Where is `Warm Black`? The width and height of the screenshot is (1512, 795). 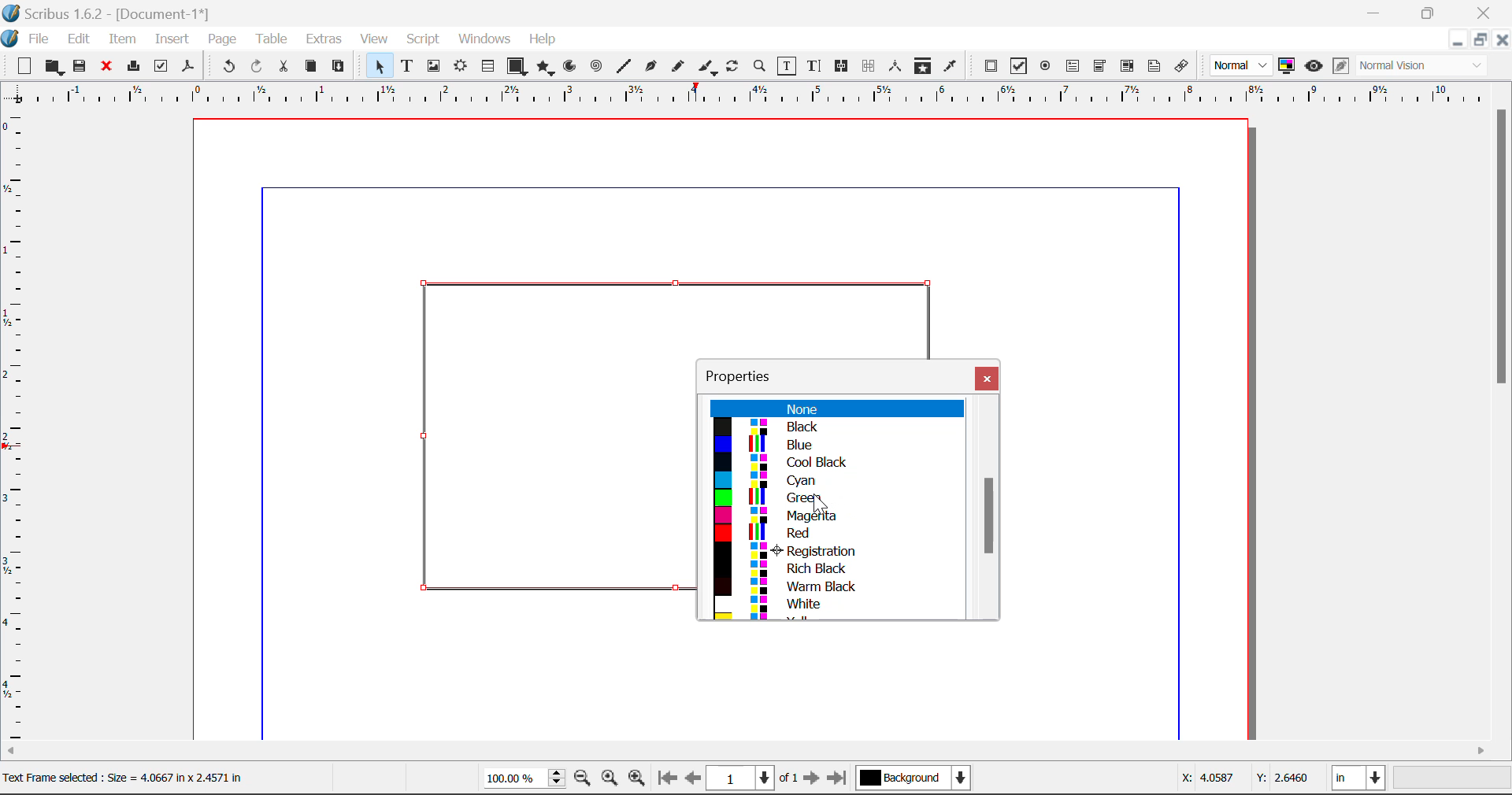
Warm Black is located at coordinates (832, 586).